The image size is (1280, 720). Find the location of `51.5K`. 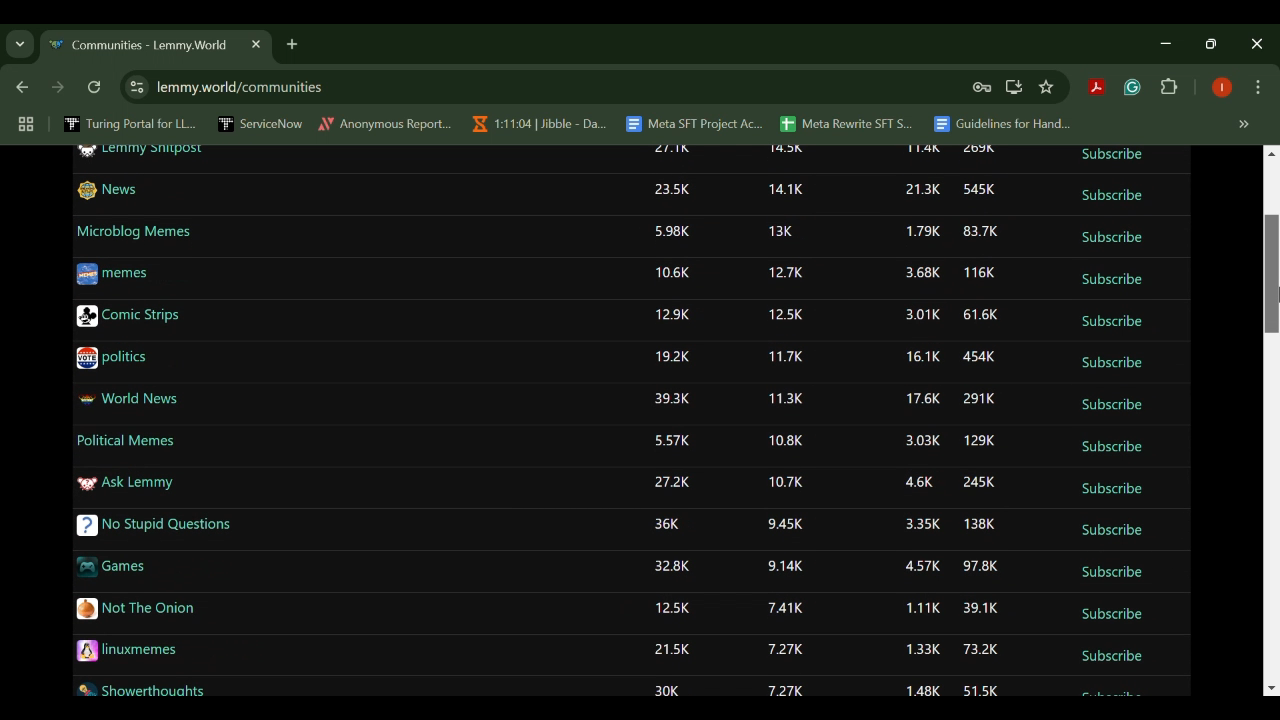

51.5K is located at coordinates (981, 692).